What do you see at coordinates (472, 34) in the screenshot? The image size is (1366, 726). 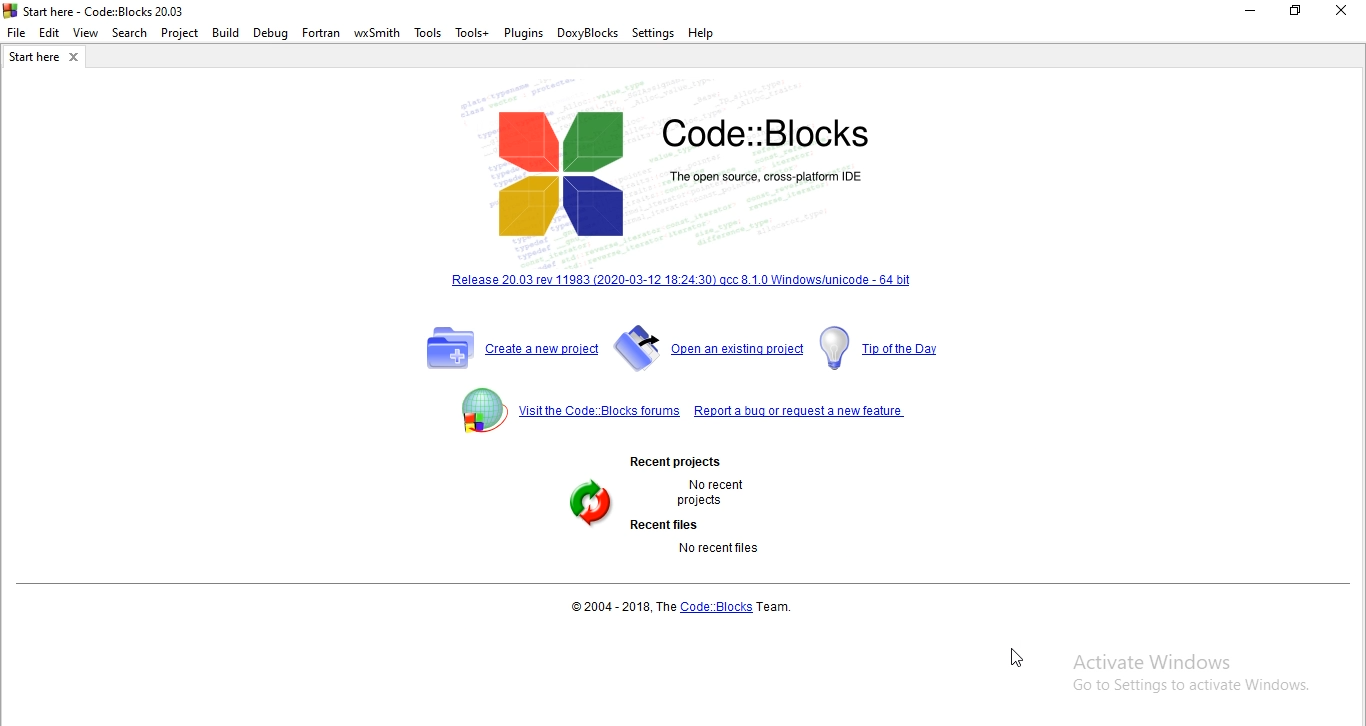 I see `Tools+` at bounding box center [472, 34].